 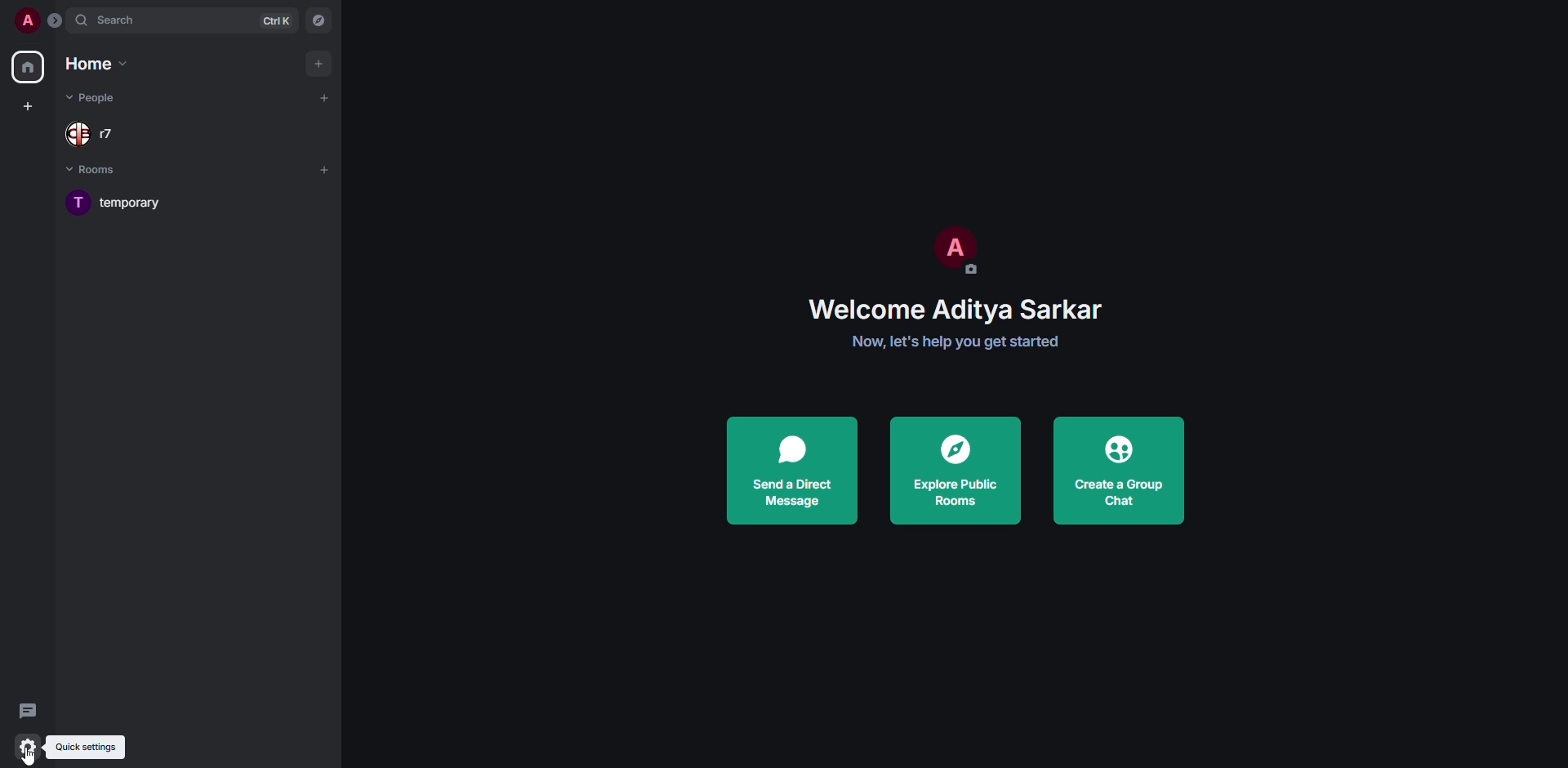 I want to click on search, so click(x=122, y=19).